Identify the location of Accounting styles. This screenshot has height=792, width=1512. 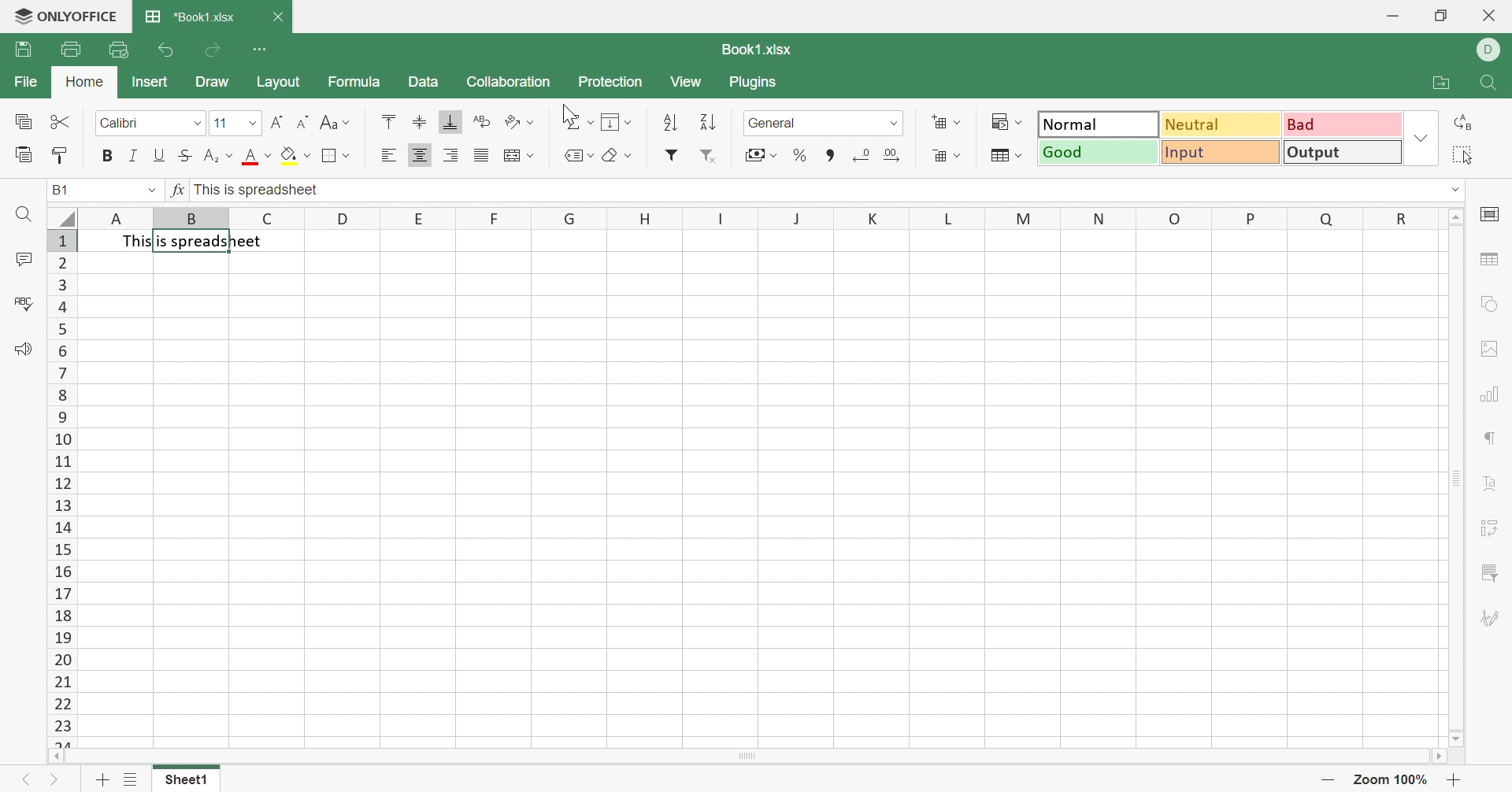
(752, 154).